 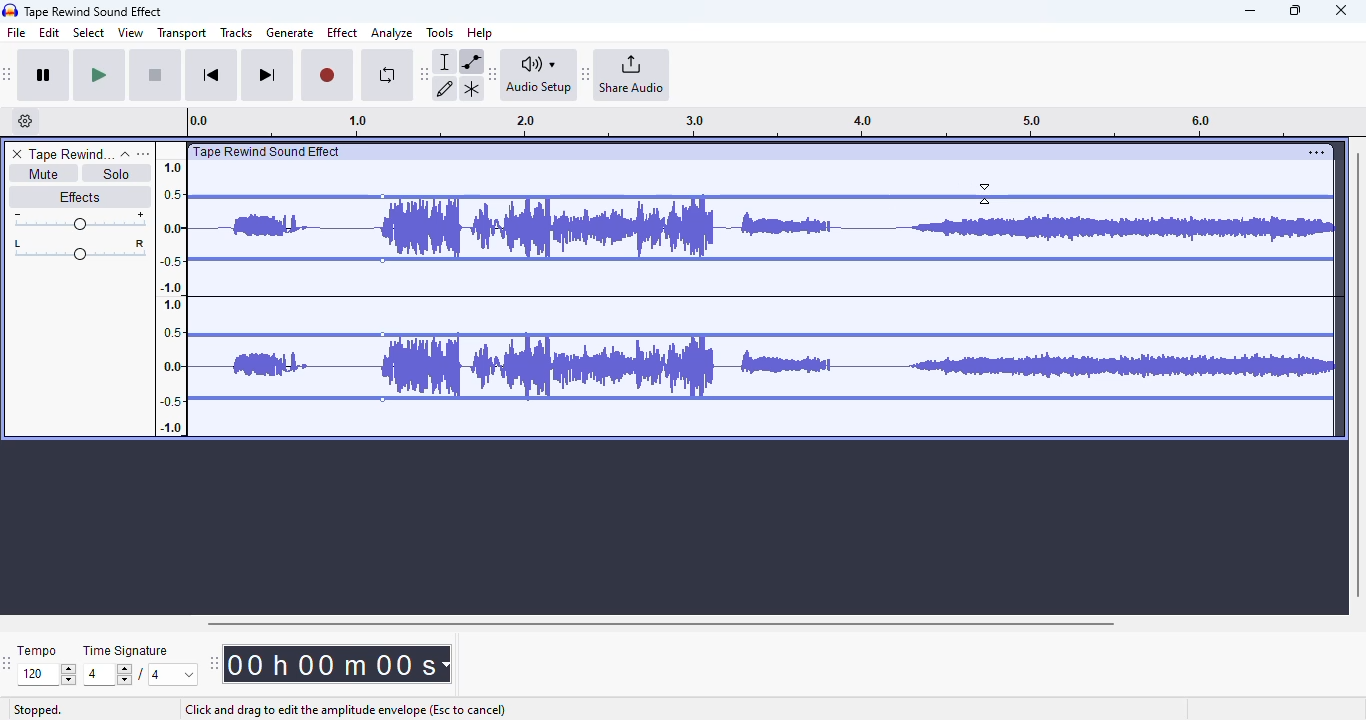 What do you see at coordinates (8, 74) in the screenshot?
I see `Move audacity transport toolbar` at bounding box center [8, 74].